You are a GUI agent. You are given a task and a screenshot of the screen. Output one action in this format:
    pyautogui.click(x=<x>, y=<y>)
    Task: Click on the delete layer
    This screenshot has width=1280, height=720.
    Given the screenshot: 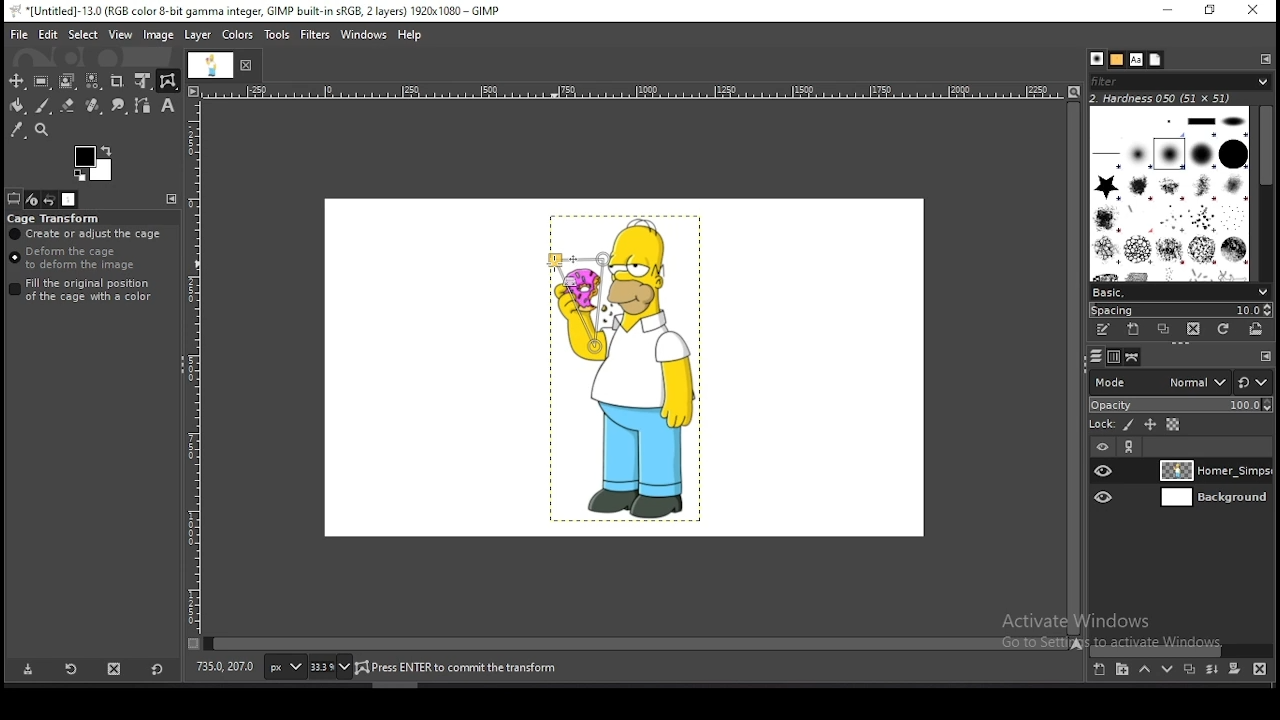 What is the action you would take?
    pyautogui.click(x=1257, y=669)
    